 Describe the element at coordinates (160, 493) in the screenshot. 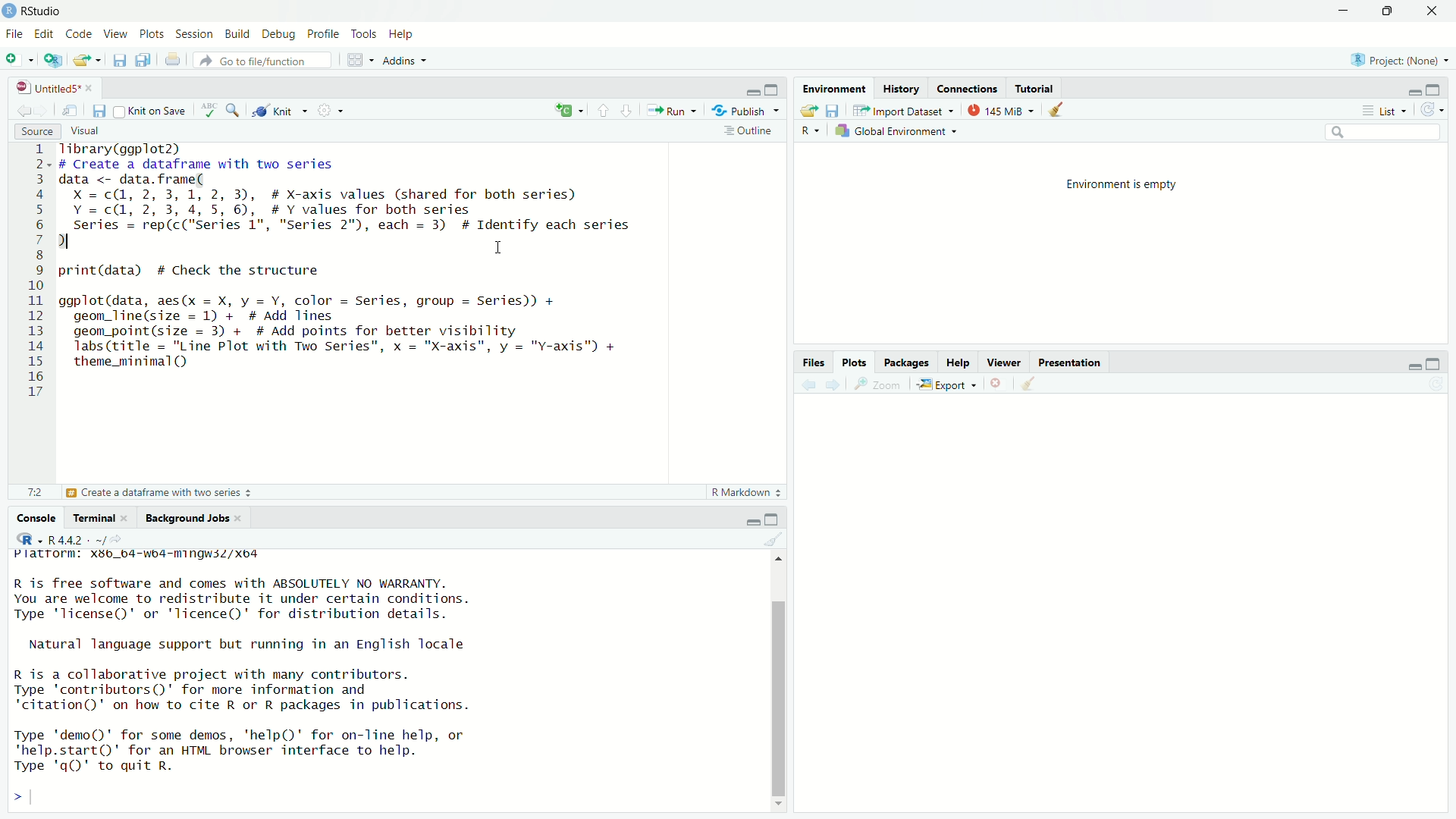

I see `Create a dataframe with two series` at that location.